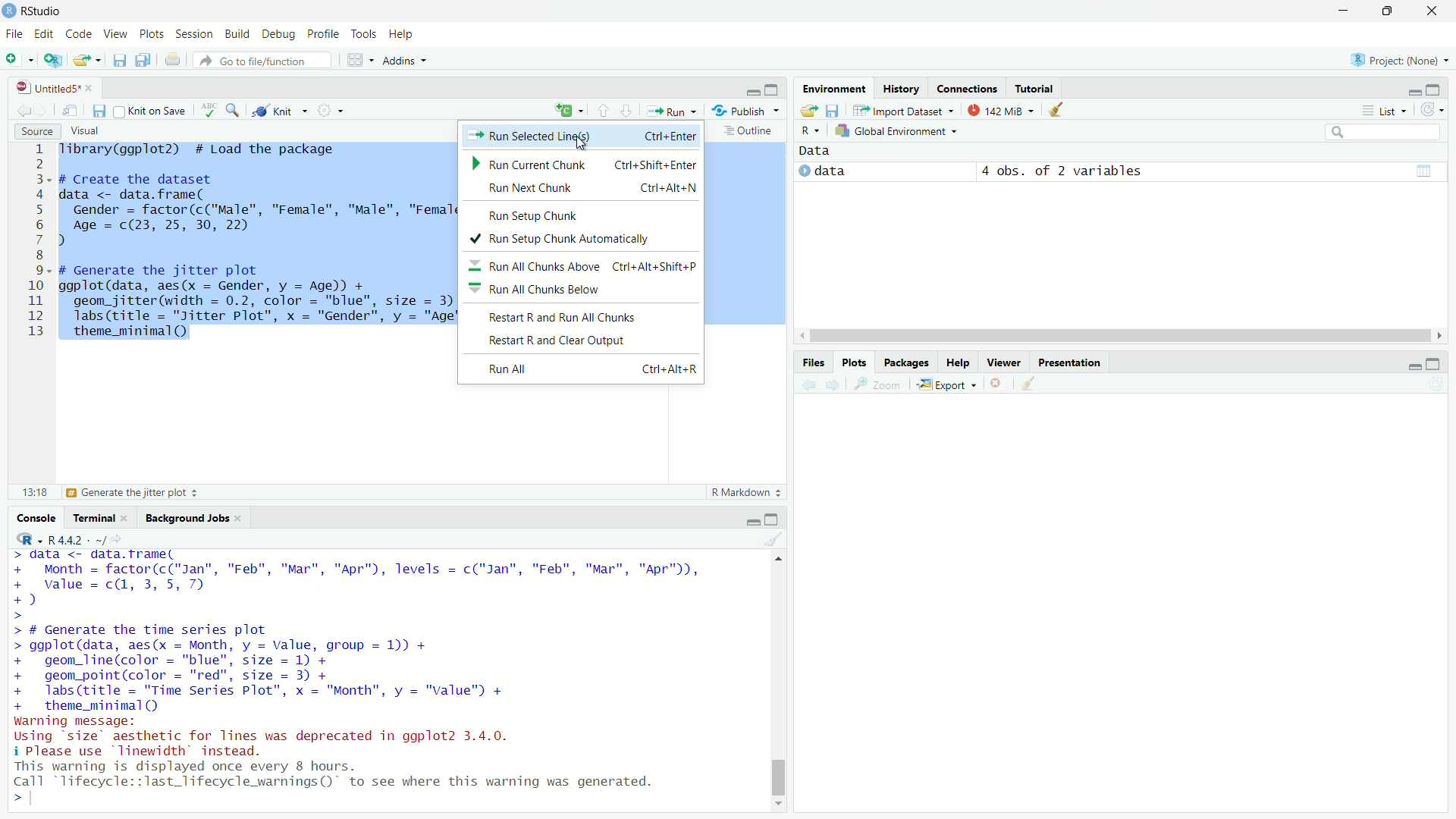  Describe the element at coordinates (17, 108) in the screenshot. I see `go back to the previous source location` at that location.